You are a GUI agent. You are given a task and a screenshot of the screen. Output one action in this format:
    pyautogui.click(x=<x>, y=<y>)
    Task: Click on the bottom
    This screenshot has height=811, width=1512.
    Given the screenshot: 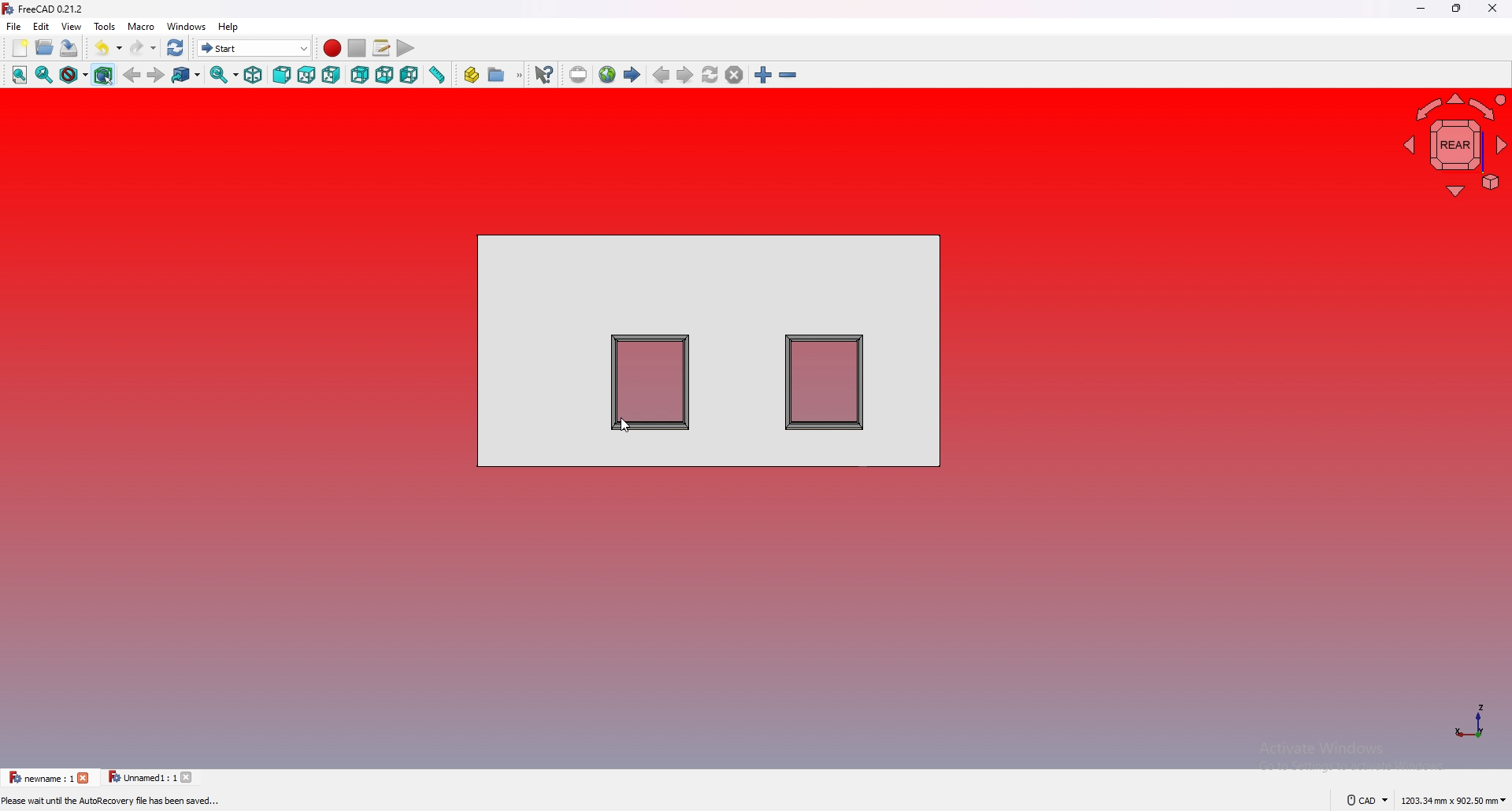 What is the action you would take?
    pyautogui.click(x=384, y=76)
    